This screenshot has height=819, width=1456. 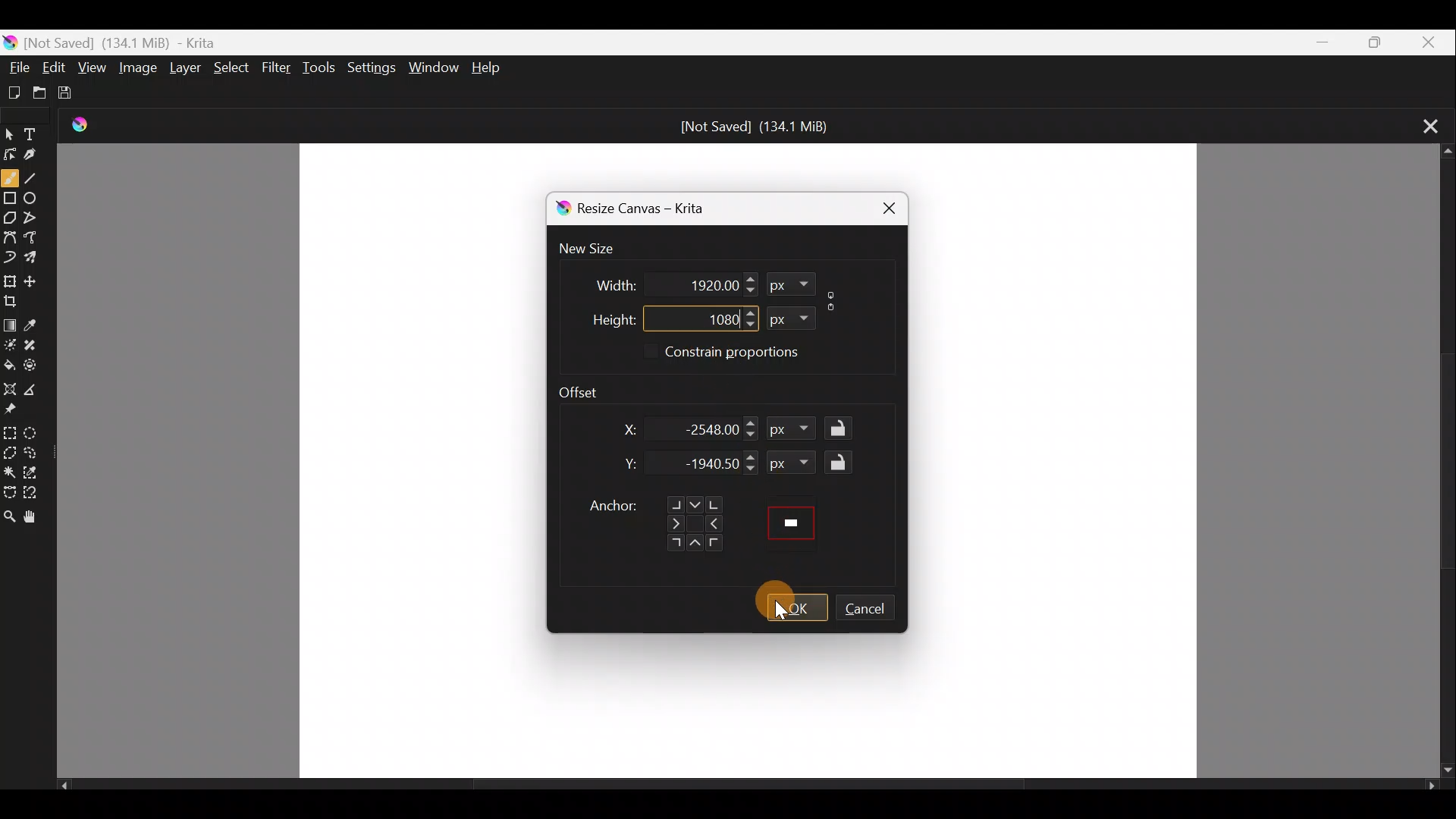 I want to click on Tools, so click(x=322, y=68).